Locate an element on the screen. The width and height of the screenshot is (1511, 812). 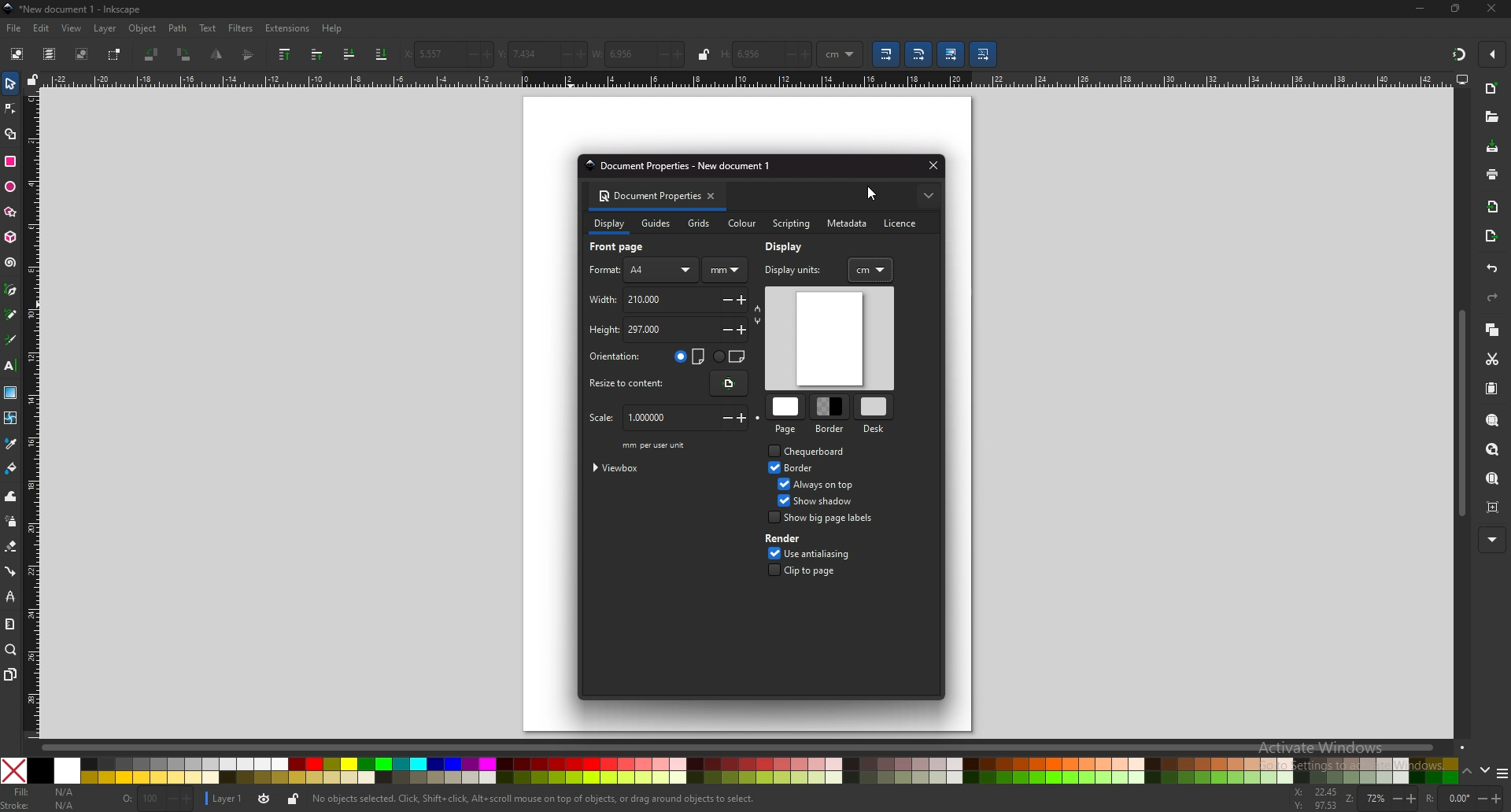
AA is located at coordinates (663, 270).